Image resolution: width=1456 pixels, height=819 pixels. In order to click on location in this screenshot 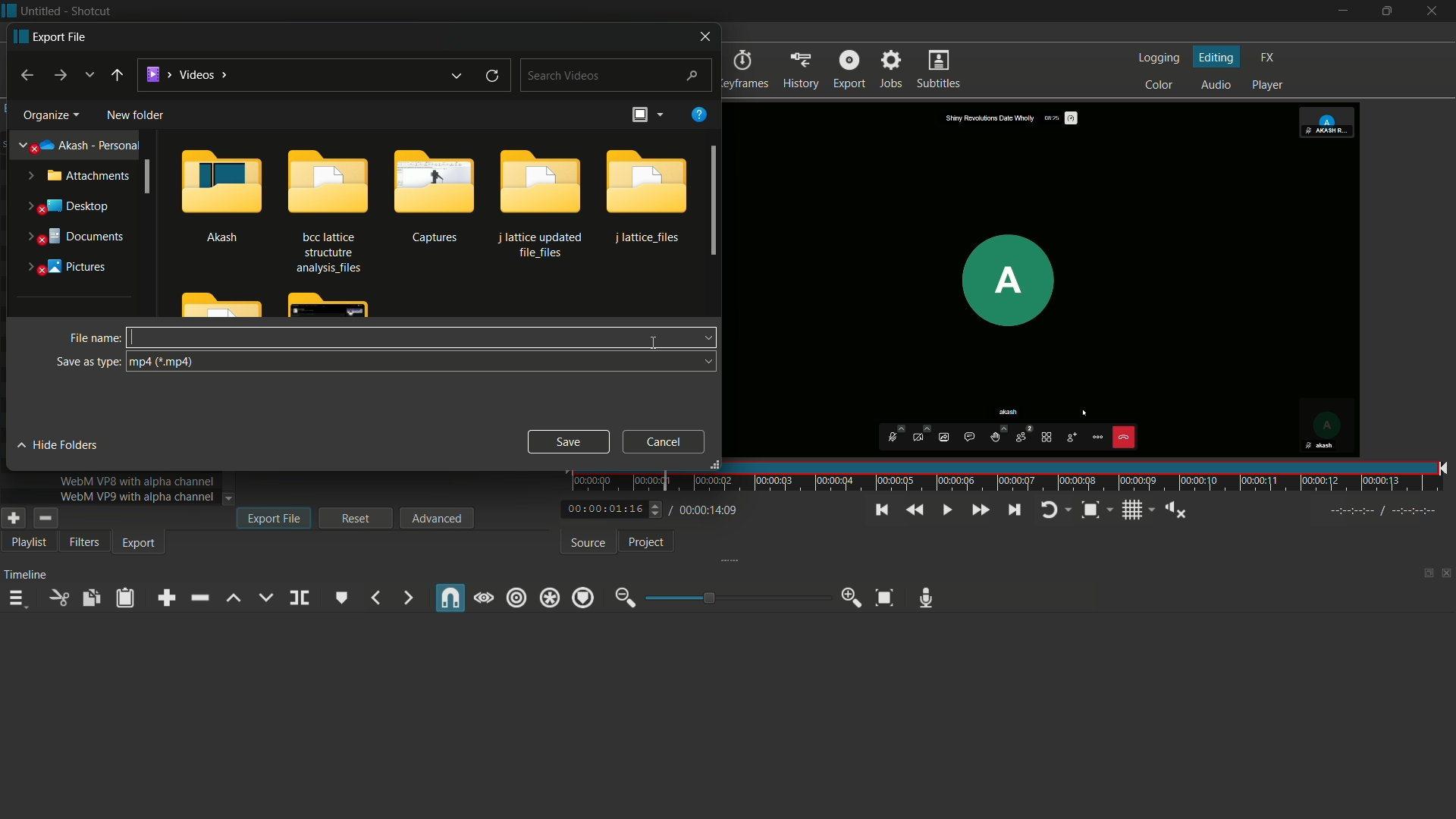, I will do `click(188, 74)`.